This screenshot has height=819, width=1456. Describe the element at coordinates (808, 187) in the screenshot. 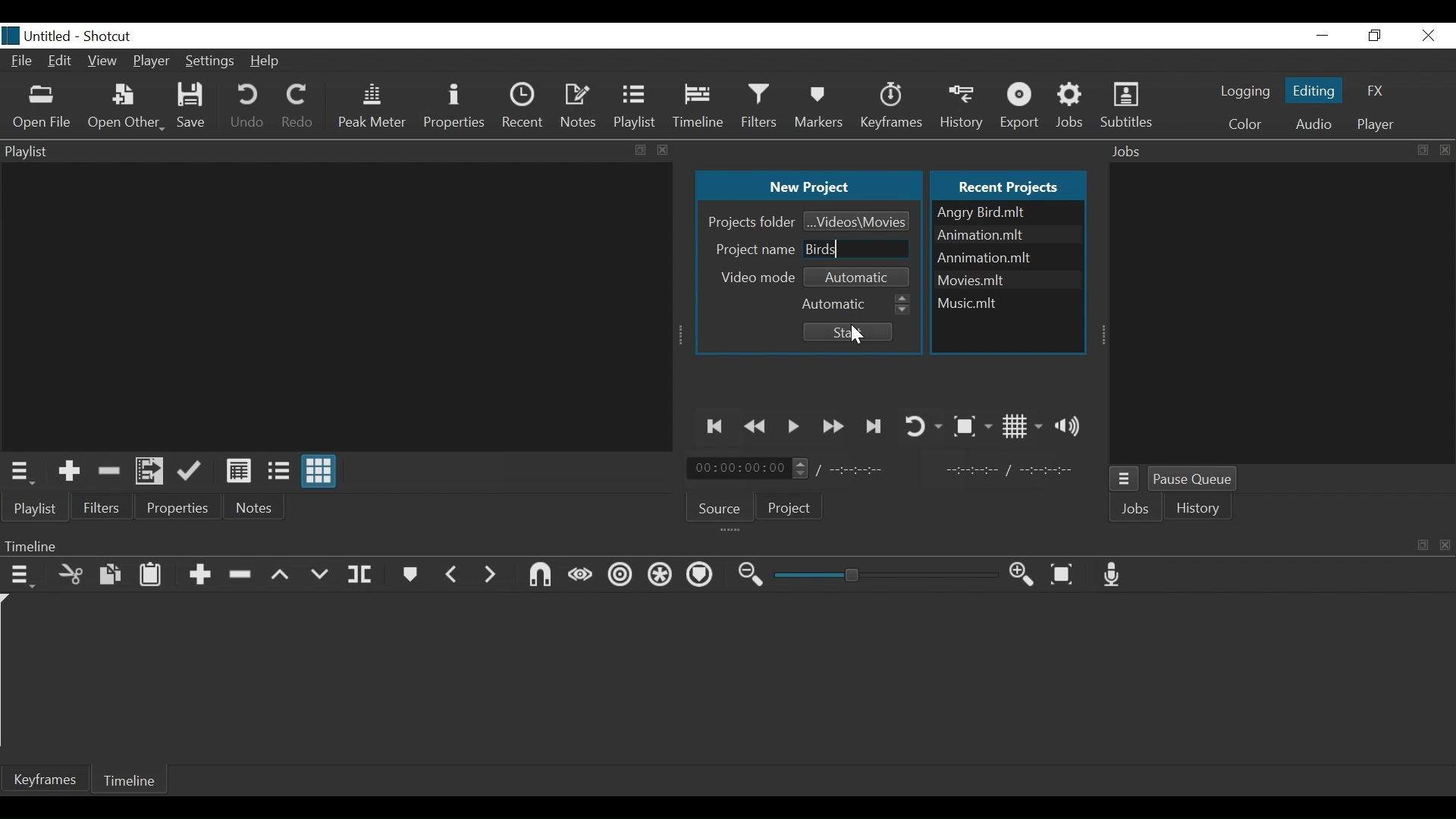

I see `New Project` at that location.